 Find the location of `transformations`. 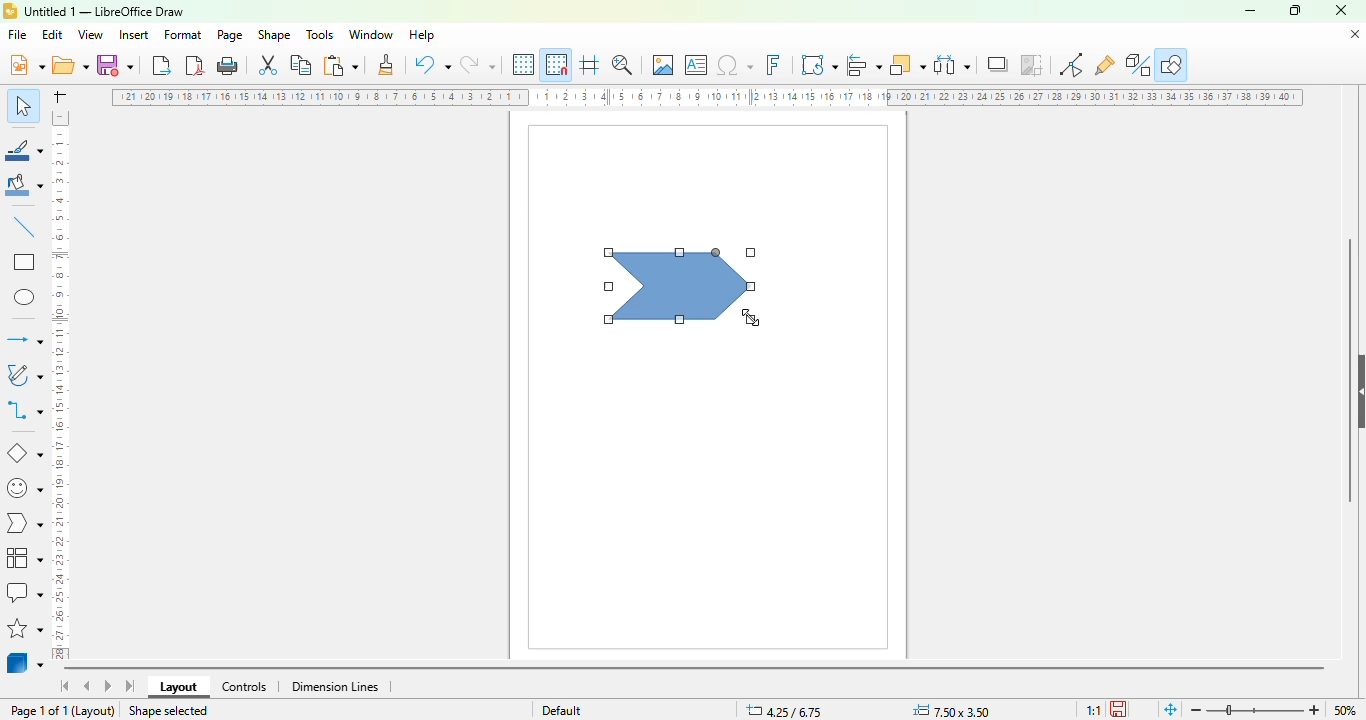

transformations is located at coordinates (819, 64).